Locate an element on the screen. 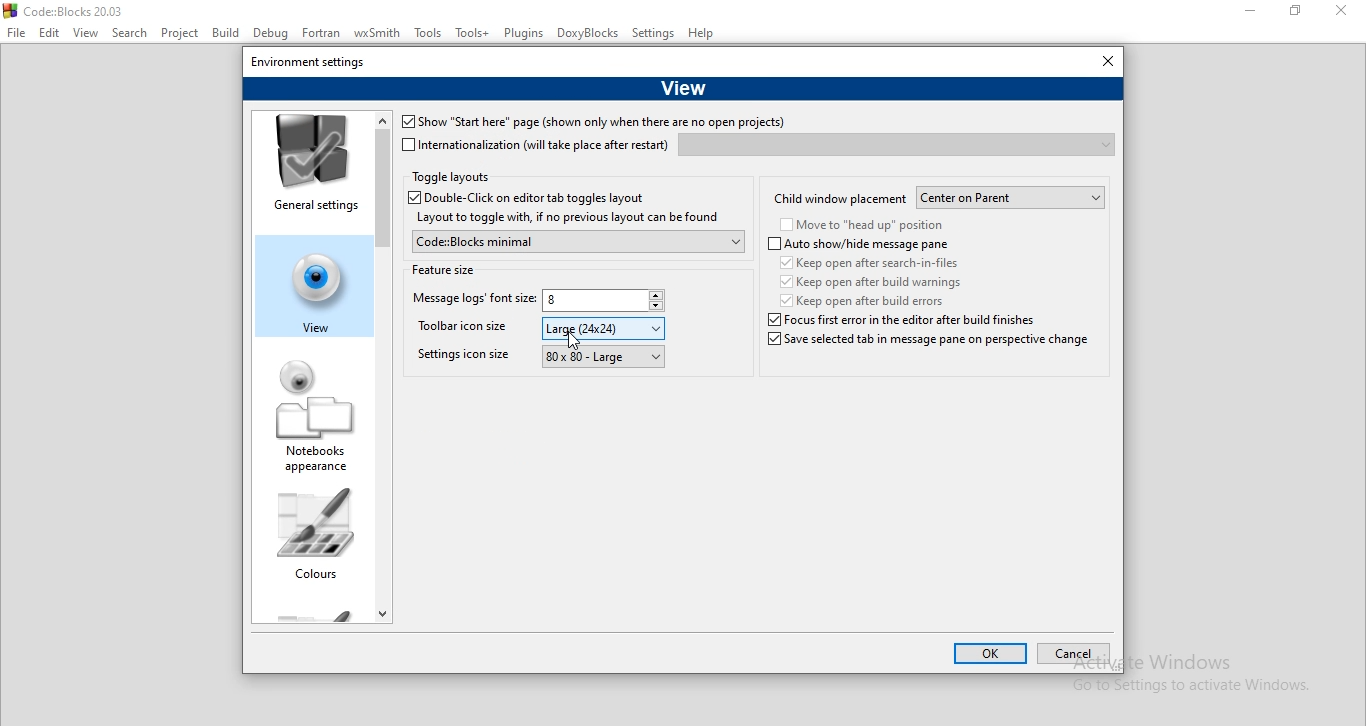  general settings is located at coordinates (312, 166).